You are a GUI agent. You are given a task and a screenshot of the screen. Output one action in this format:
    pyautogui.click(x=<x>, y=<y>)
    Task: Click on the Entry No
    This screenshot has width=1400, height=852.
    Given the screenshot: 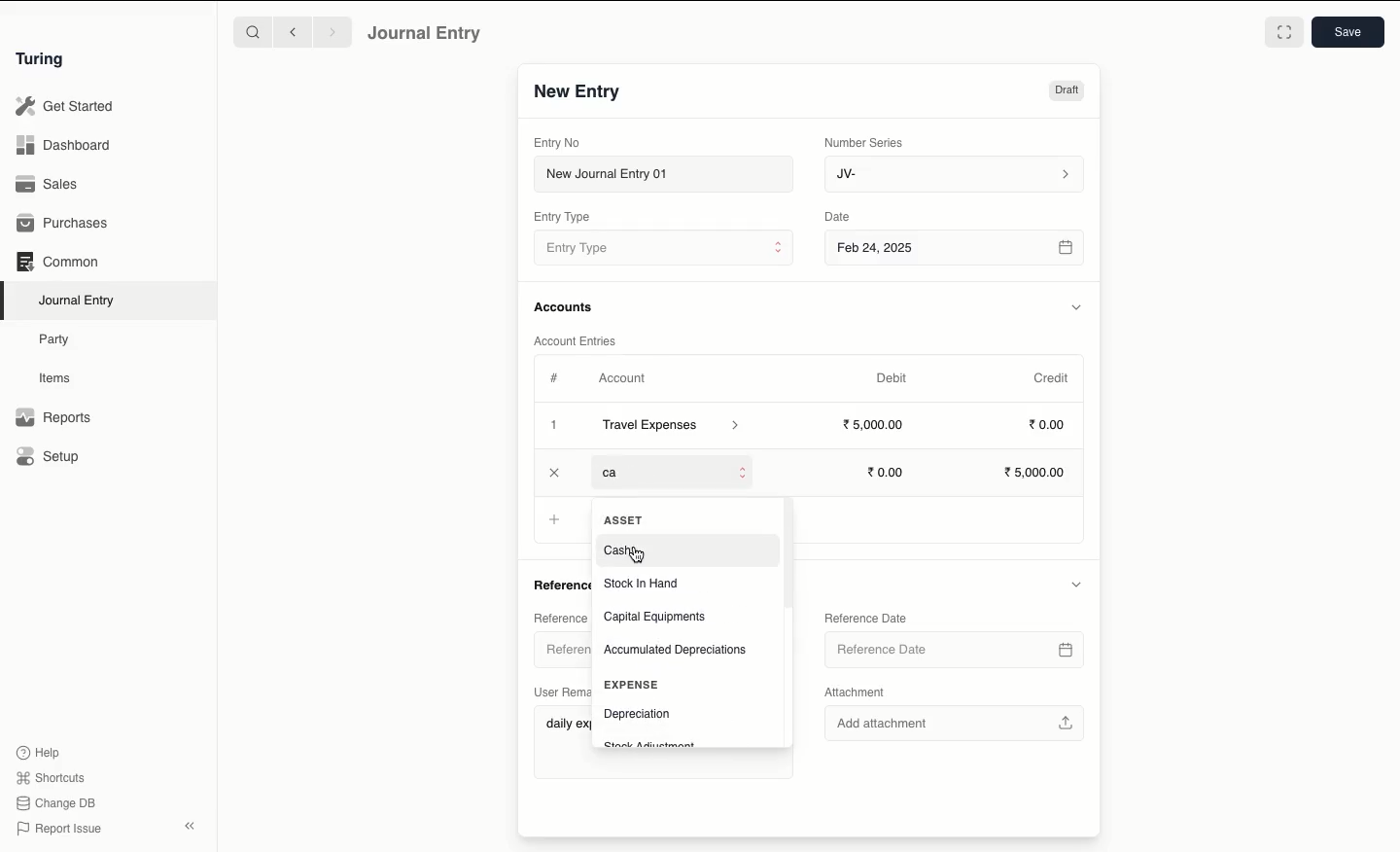 What is the action you would take?
    pyautogui.click(x=557, y=143)
    